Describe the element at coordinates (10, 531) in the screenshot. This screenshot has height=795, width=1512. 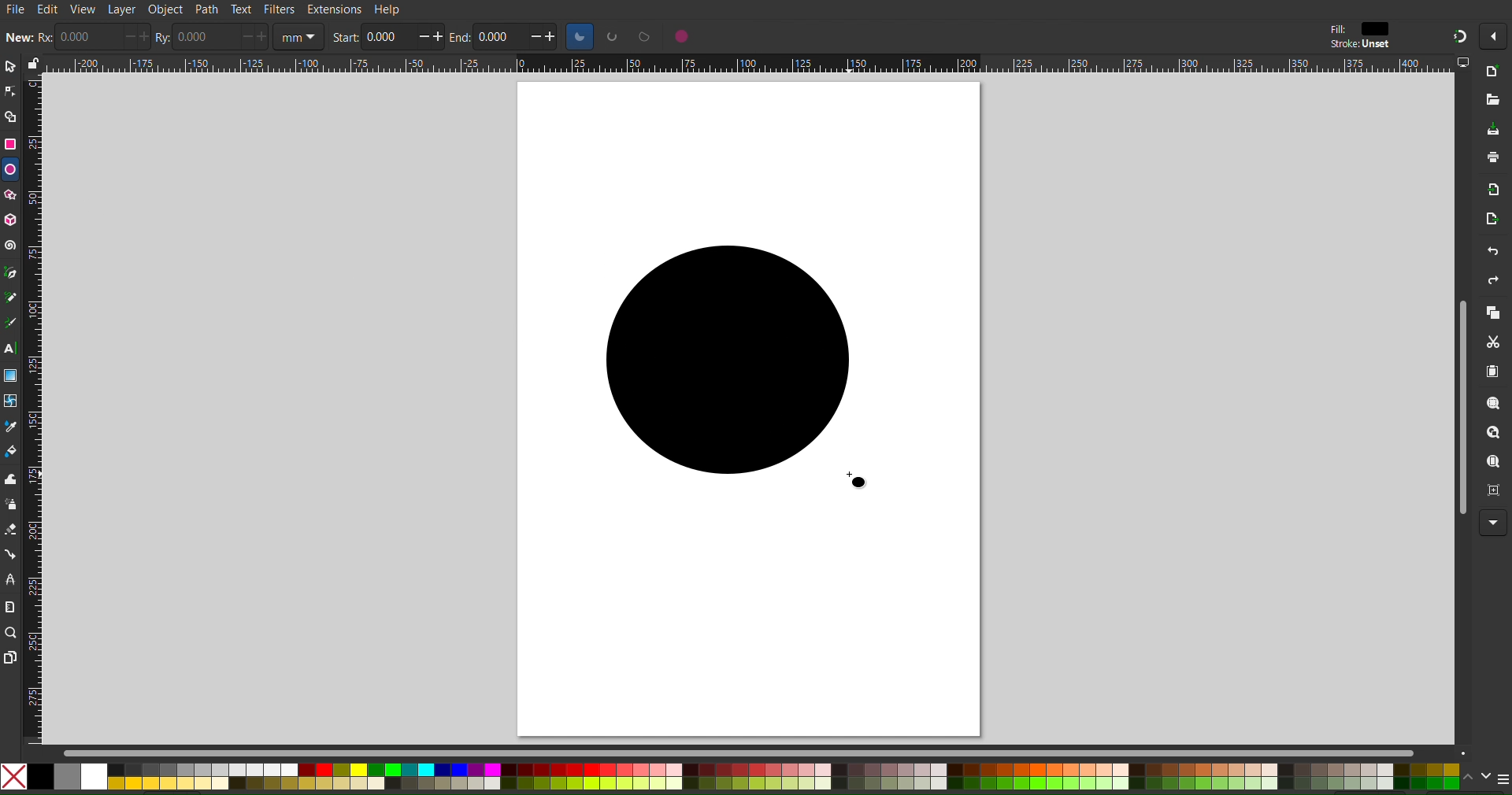
I see `Spray Tool` at that location.